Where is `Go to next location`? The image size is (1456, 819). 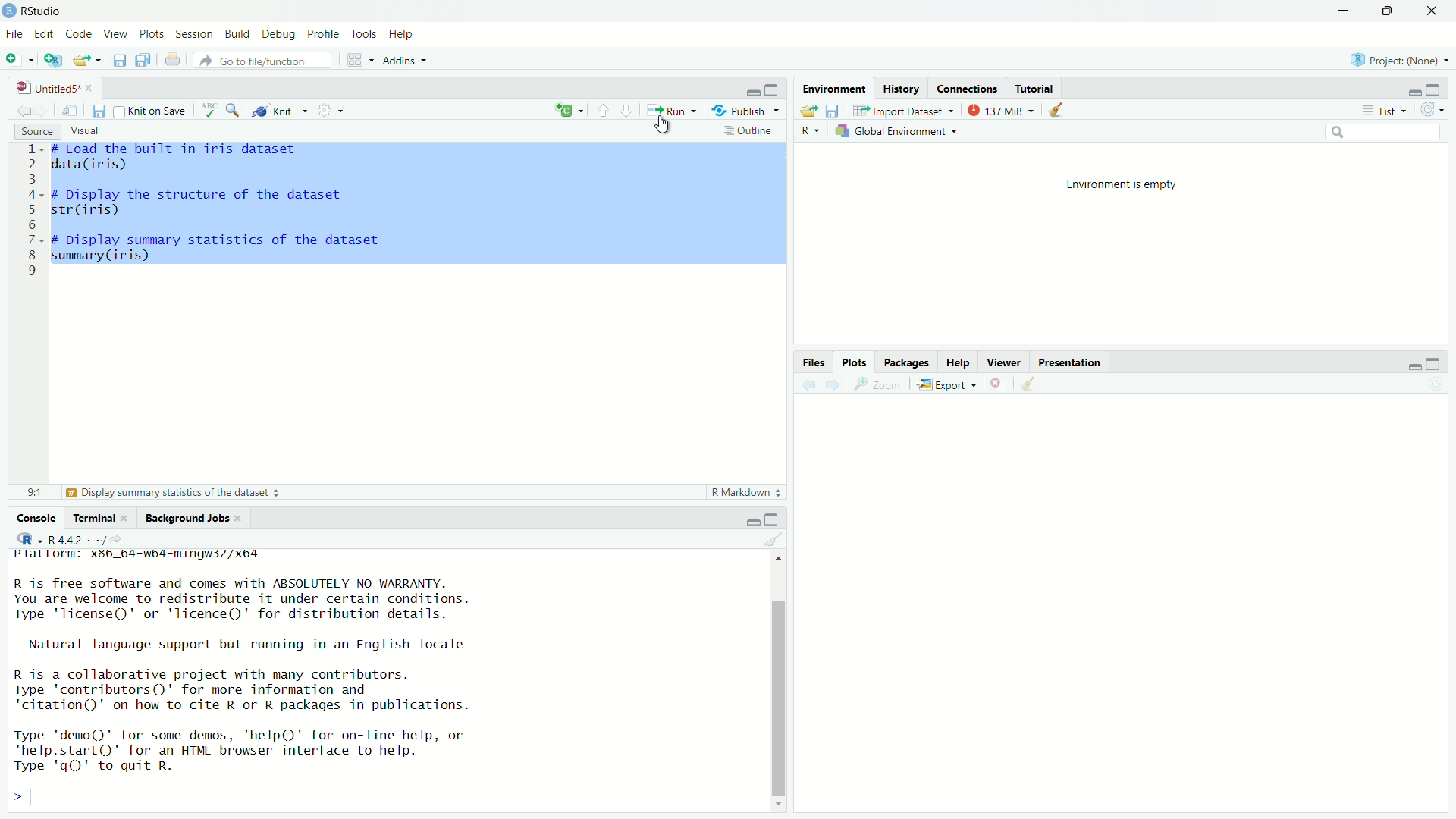 Go to next location is located at coordinates (43, 110).